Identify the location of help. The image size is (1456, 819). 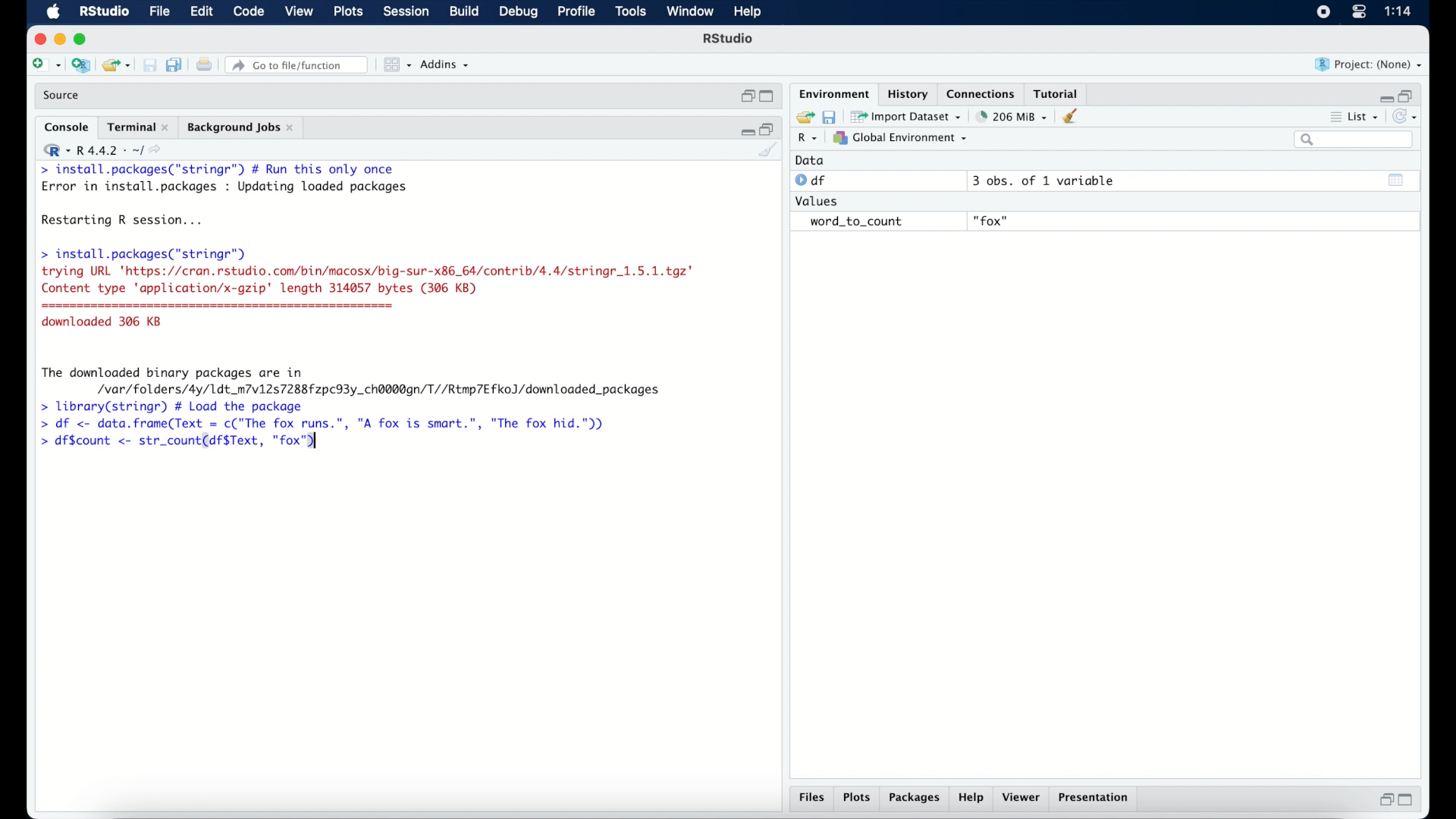
(750, 13).